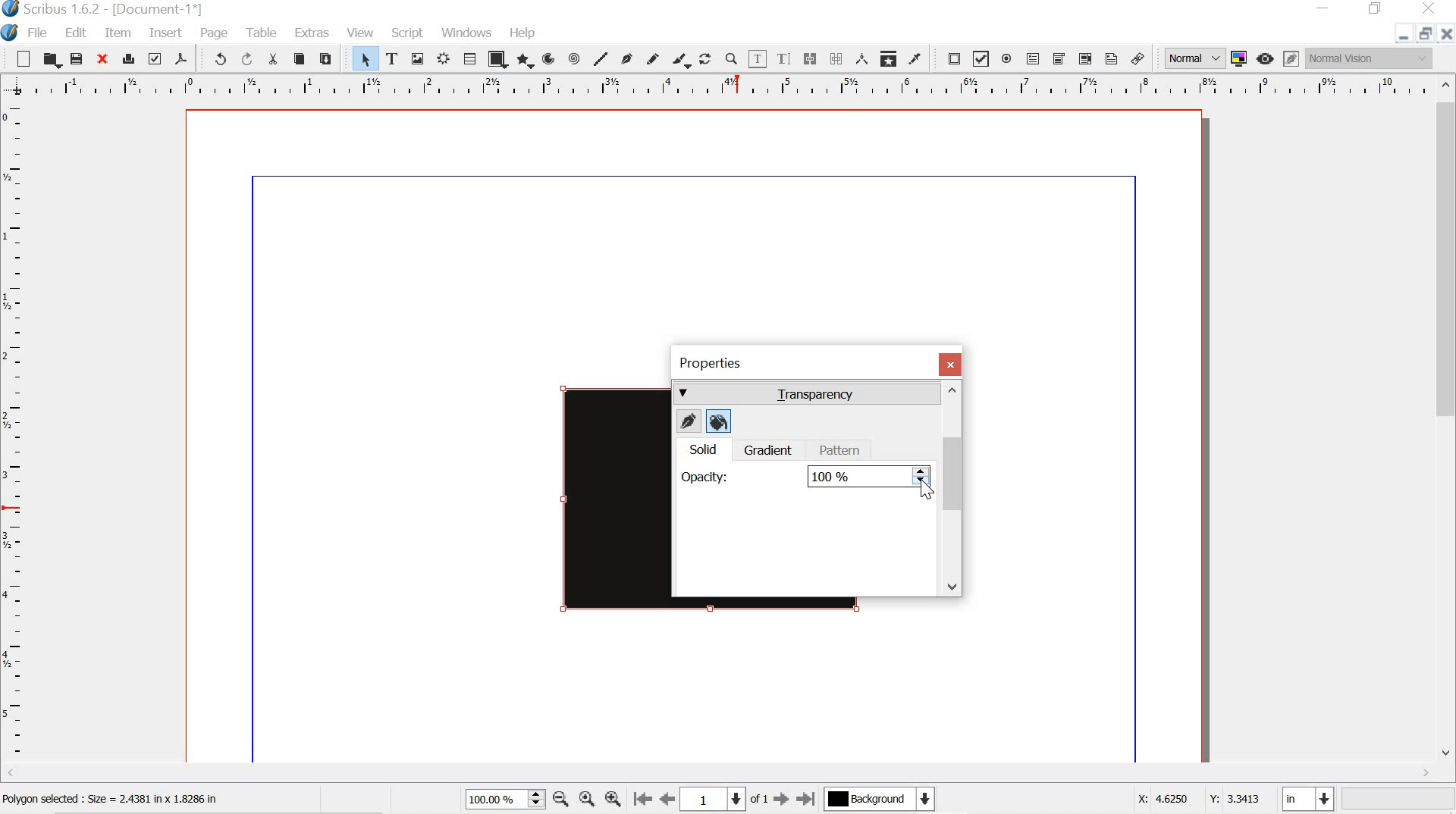  I want to click on edit text with story editor, so click(786, 60).